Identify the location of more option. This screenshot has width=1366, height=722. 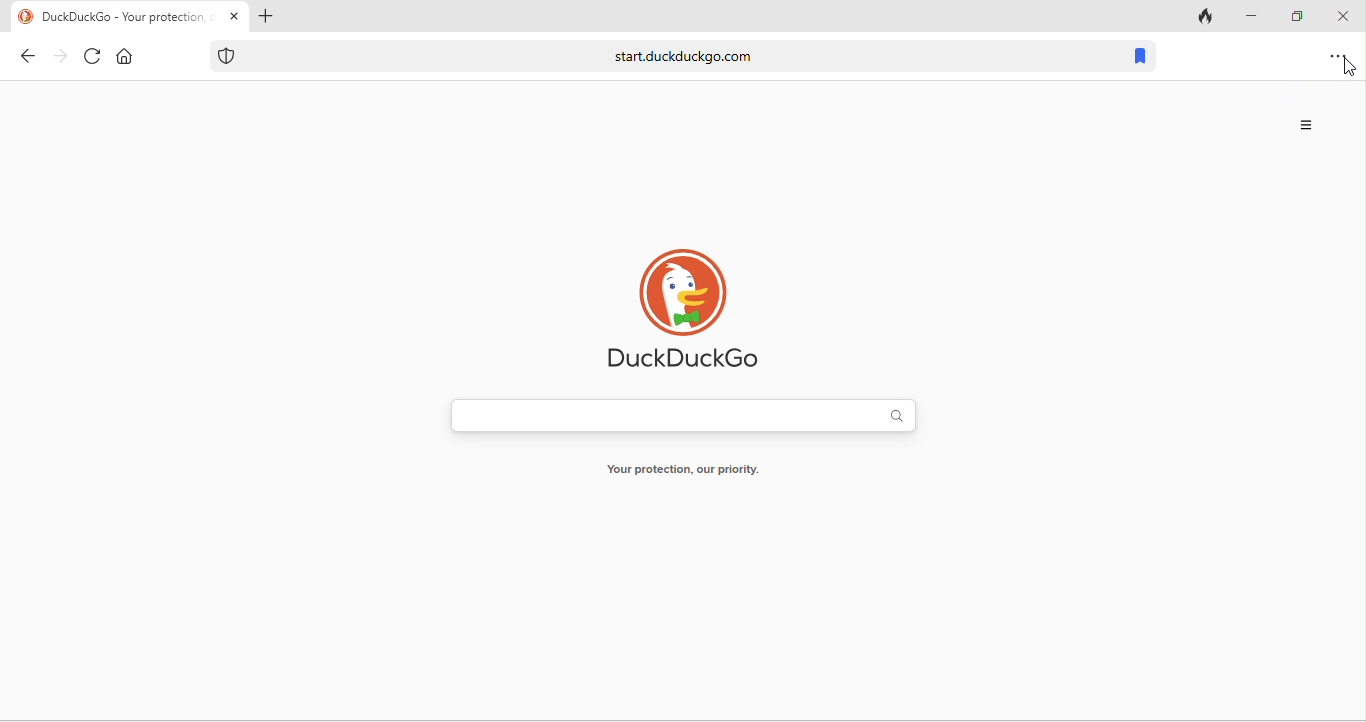
(1309, 126).